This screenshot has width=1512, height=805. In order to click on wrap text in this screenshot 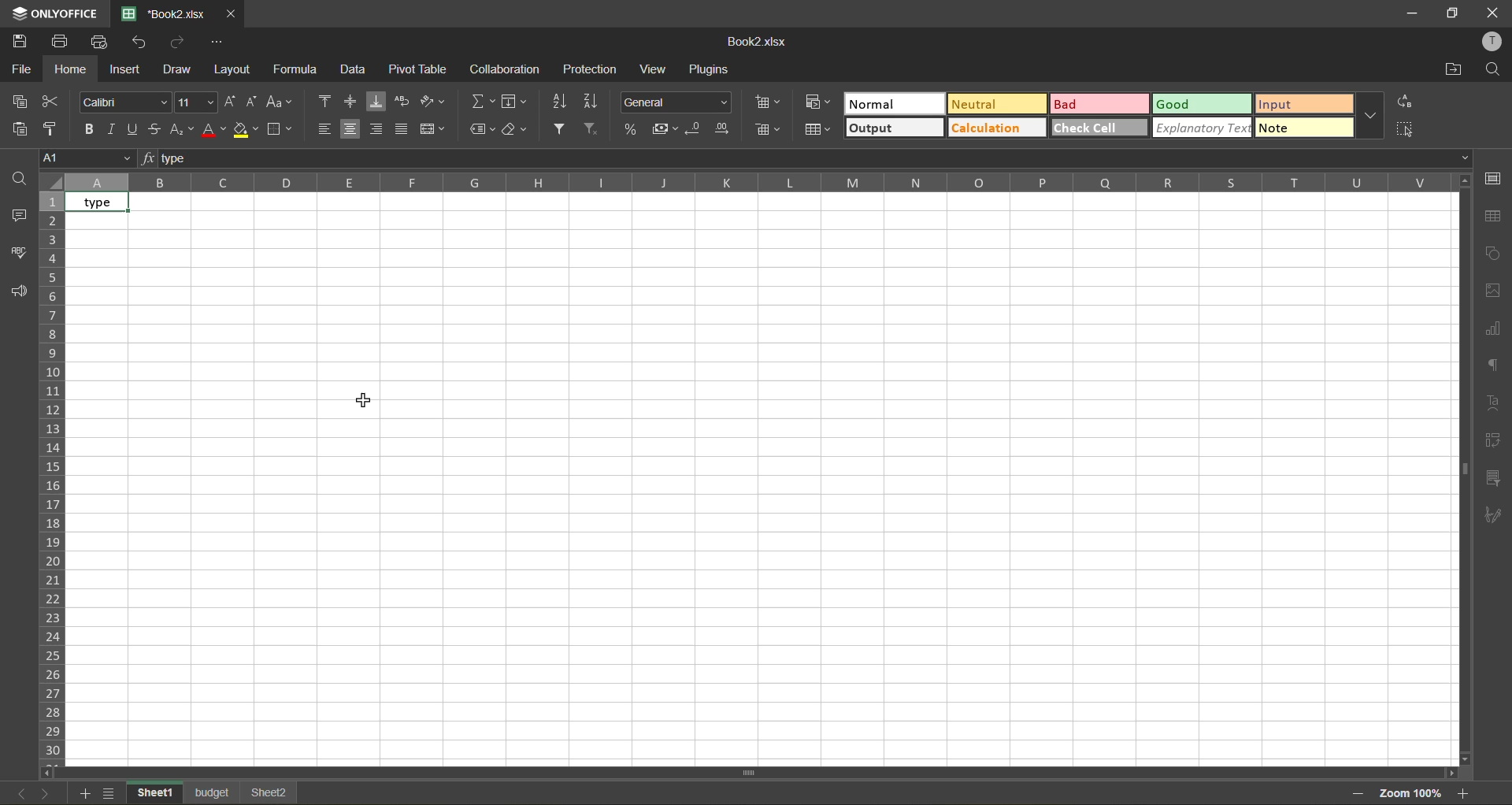, I will do `click(406, 98)`.